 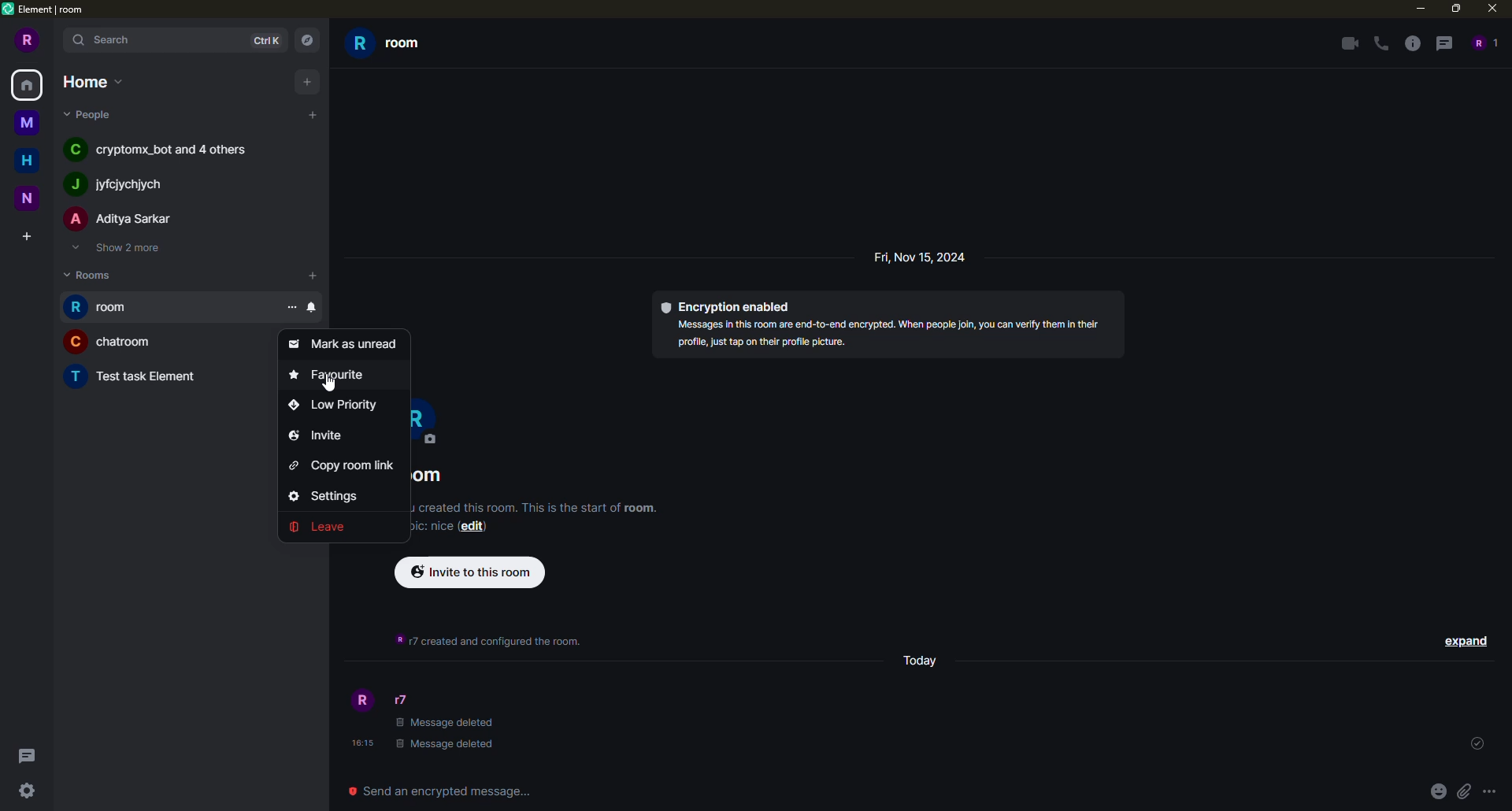 I want to click on low priority, so click(x=339, y=406).